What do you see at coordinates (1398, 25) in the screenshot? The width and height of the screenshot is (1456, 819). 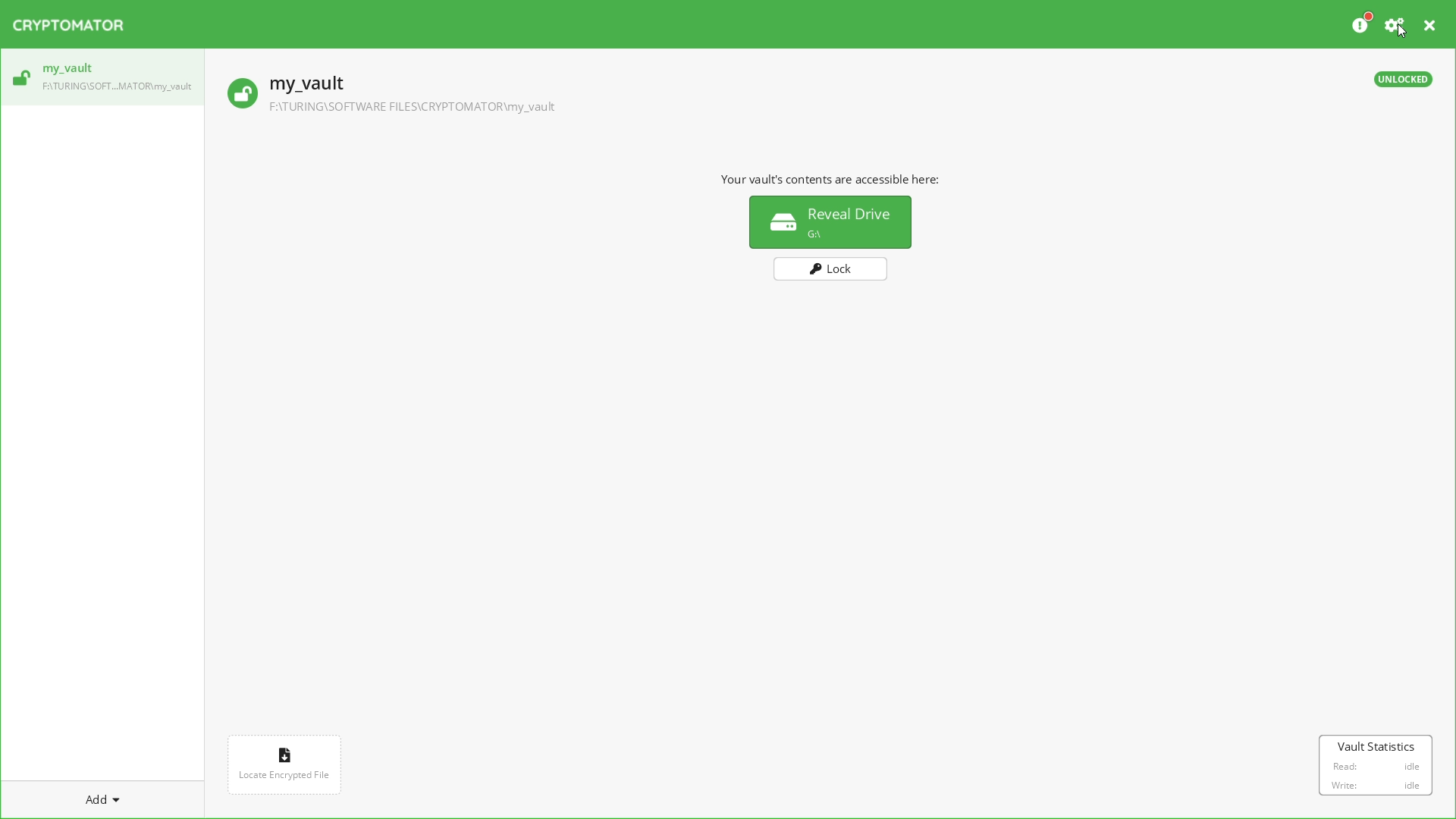 I see `Preferences` at bounding box center [1398, 25].